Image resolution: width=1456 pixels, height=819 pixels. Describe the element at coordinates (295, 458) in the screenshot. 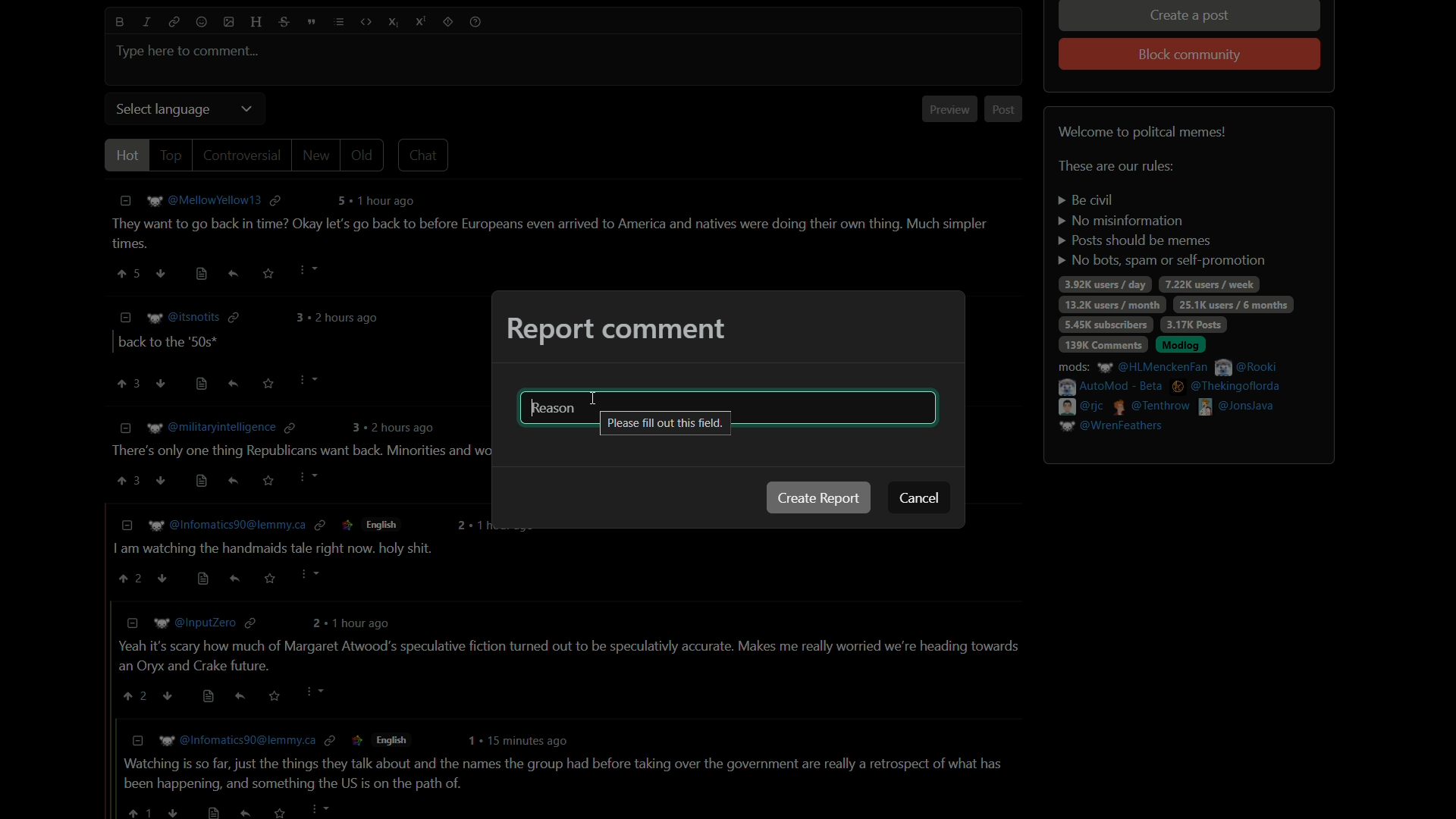

I see `comment-3` at that location.